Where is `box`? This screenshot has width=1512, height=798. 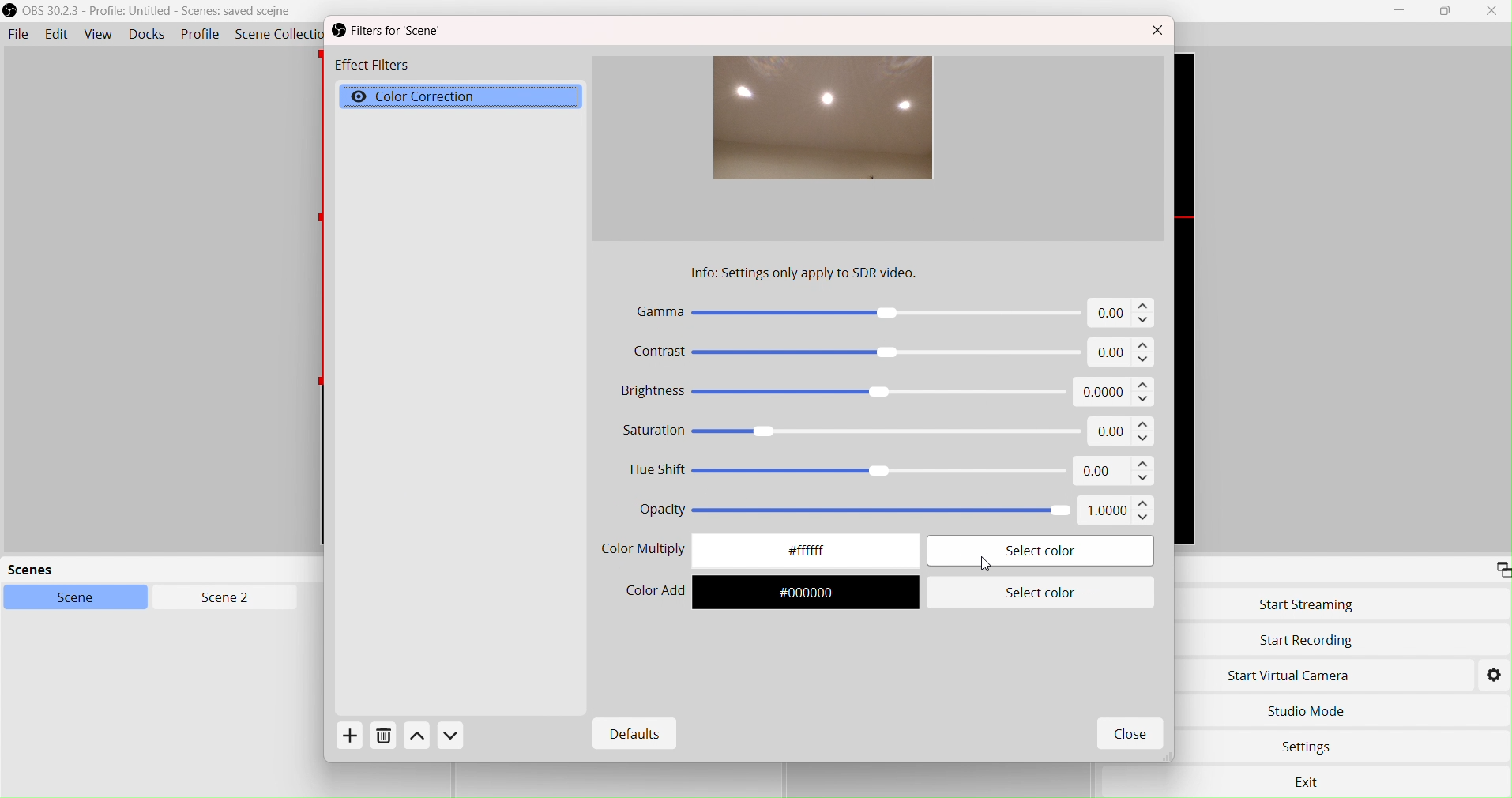 box is located at coordinates (1448, 12).